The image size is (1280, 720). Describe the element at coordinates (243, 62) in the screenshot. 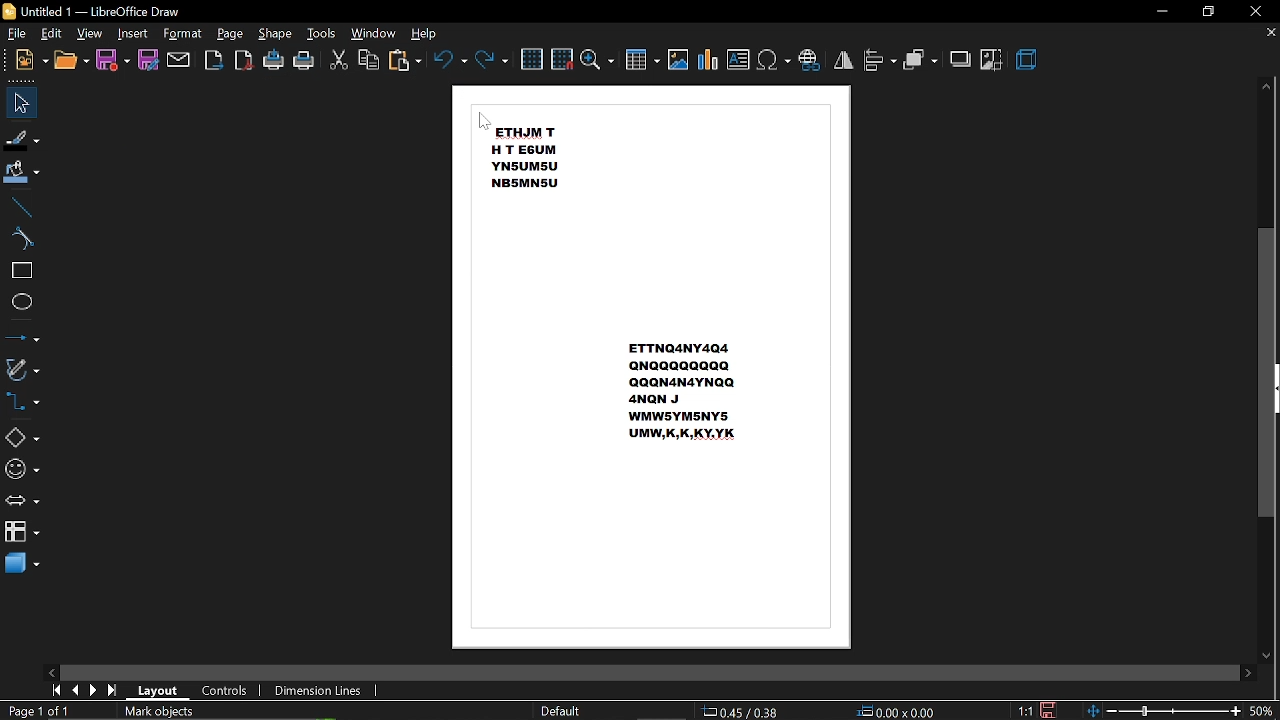

I see `export as pdf` at that location.